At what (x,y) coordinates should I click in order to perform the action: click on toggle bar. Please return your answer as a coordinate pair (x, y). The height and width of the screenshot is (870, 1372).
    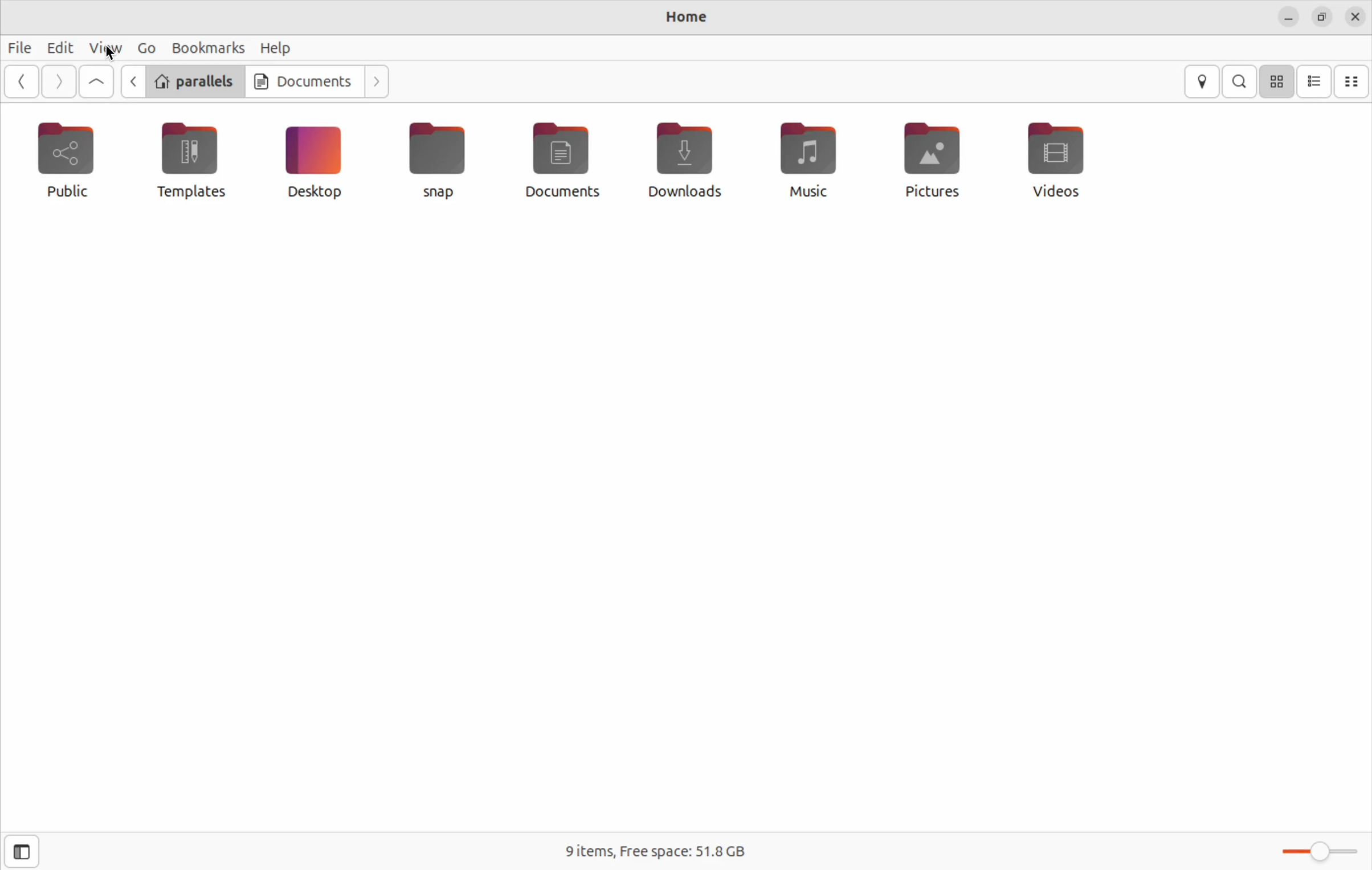
    Looking at the image, I should click on (1314, 851).